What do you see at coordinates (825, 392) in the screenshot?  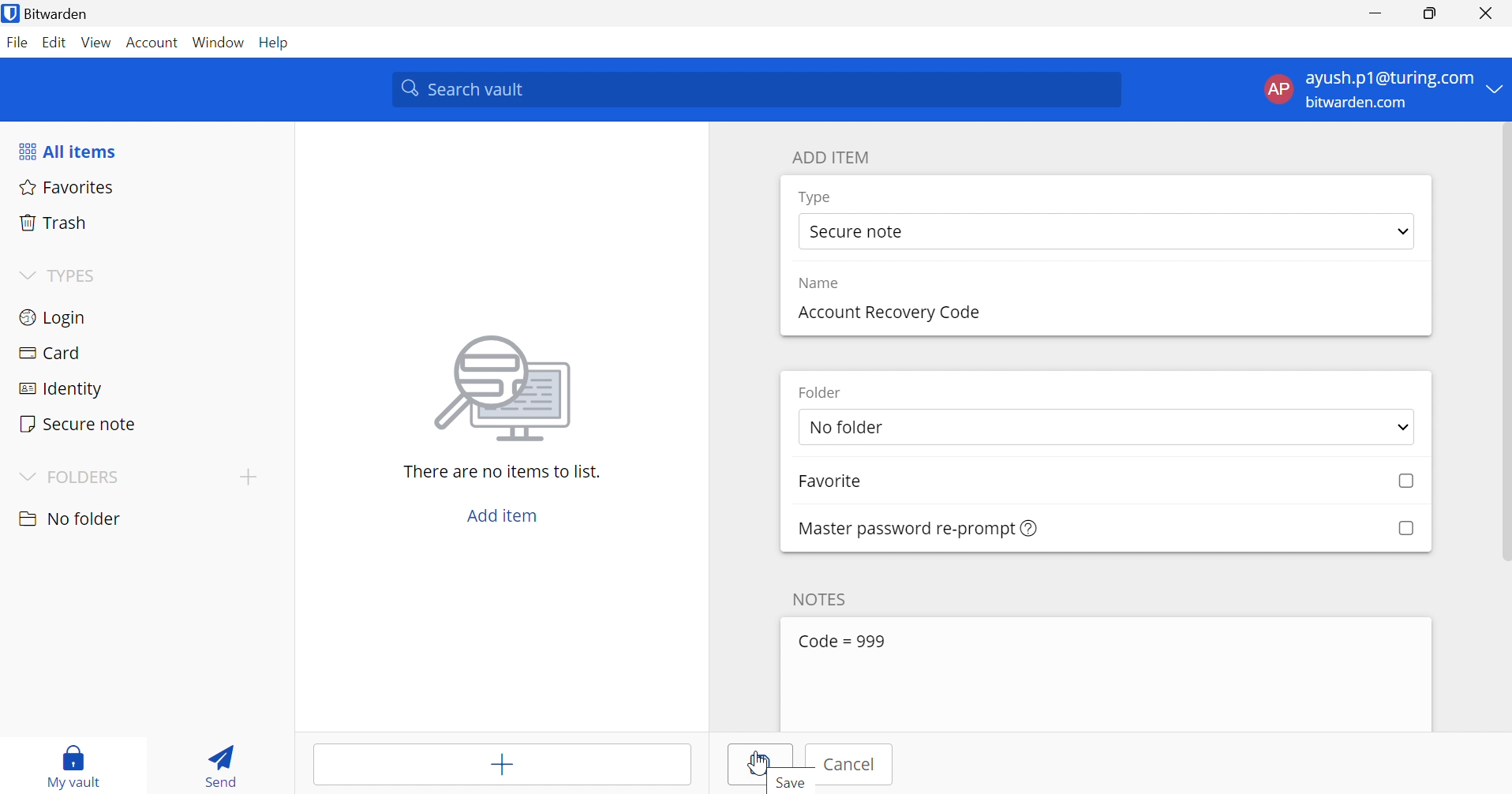 I see `Folder` at bounding box center [825, 392].